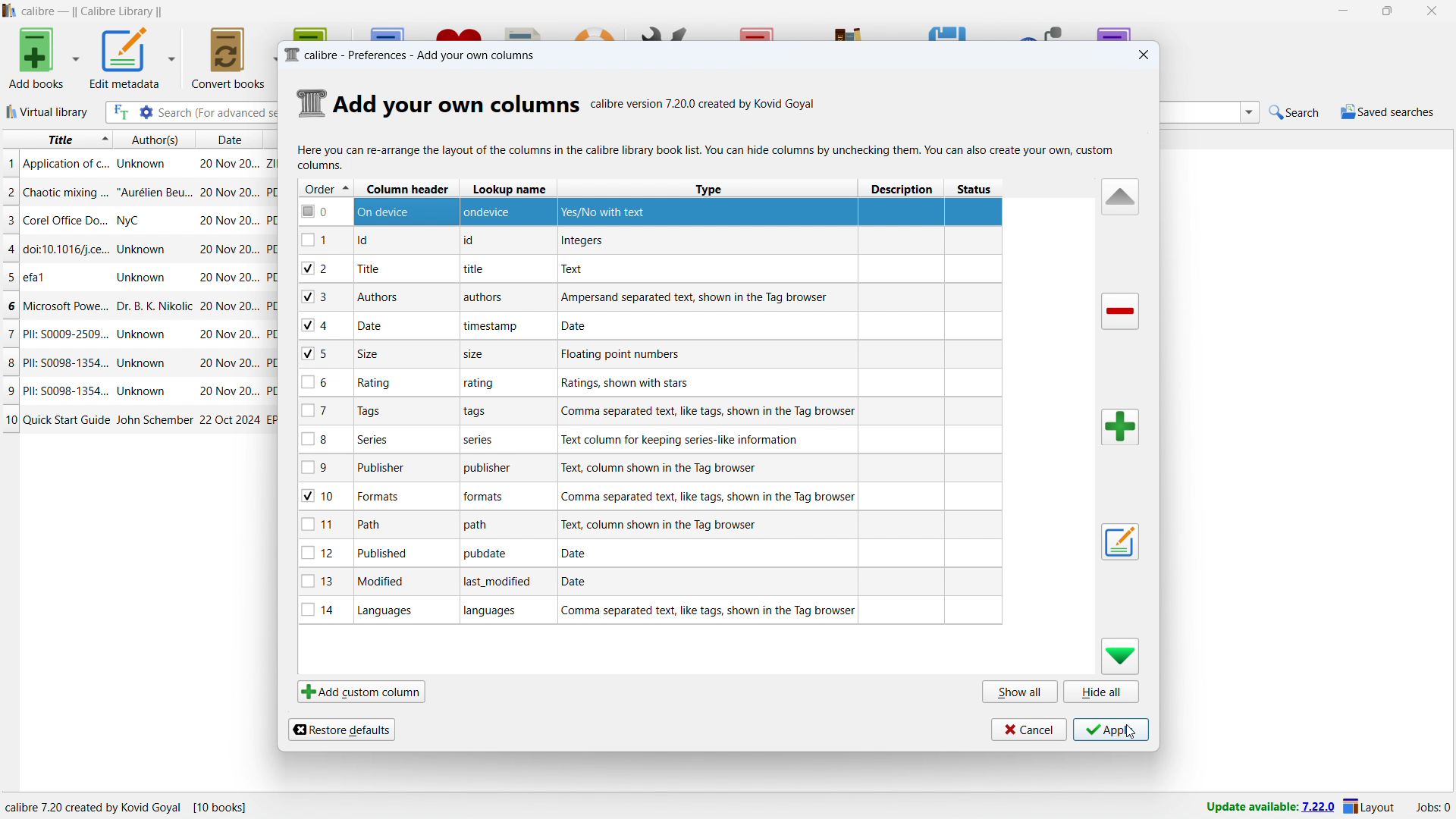  What do you see at coordinates (10, 420) in the screenshot?
I see `10` at bounding box center [10, 420].